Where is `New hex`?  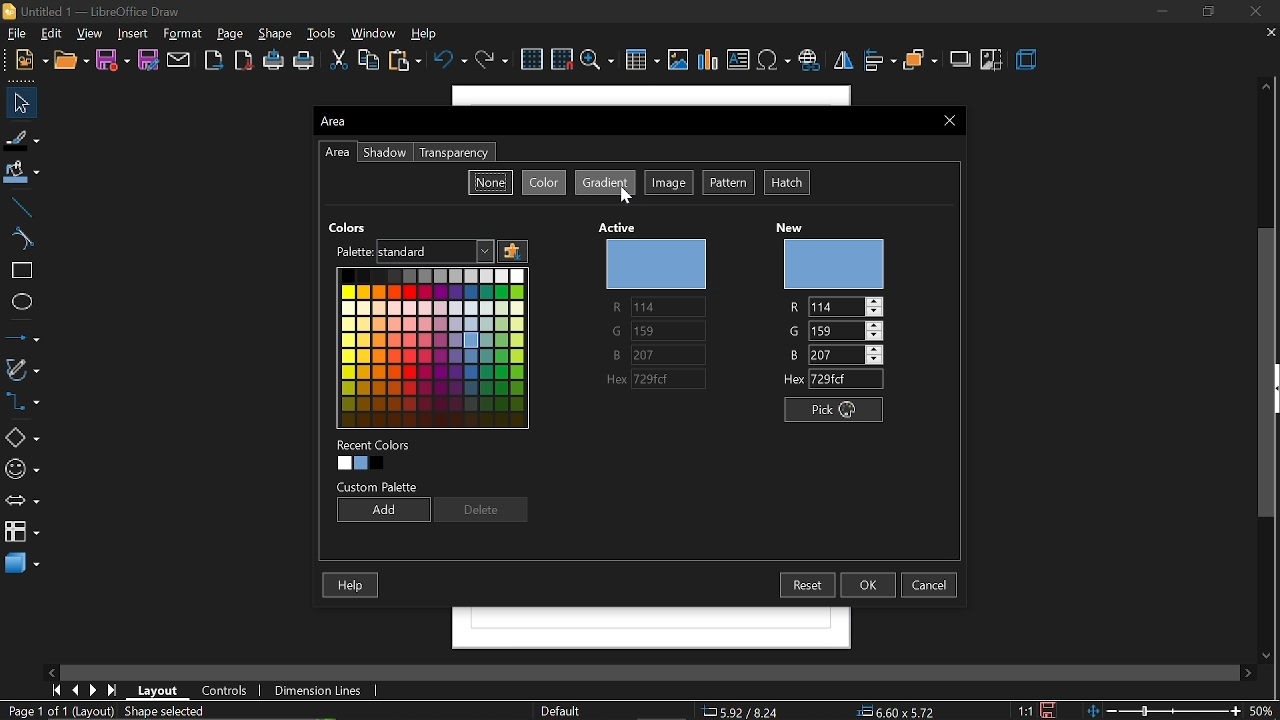
New hex is located at coordinates (829, 380).